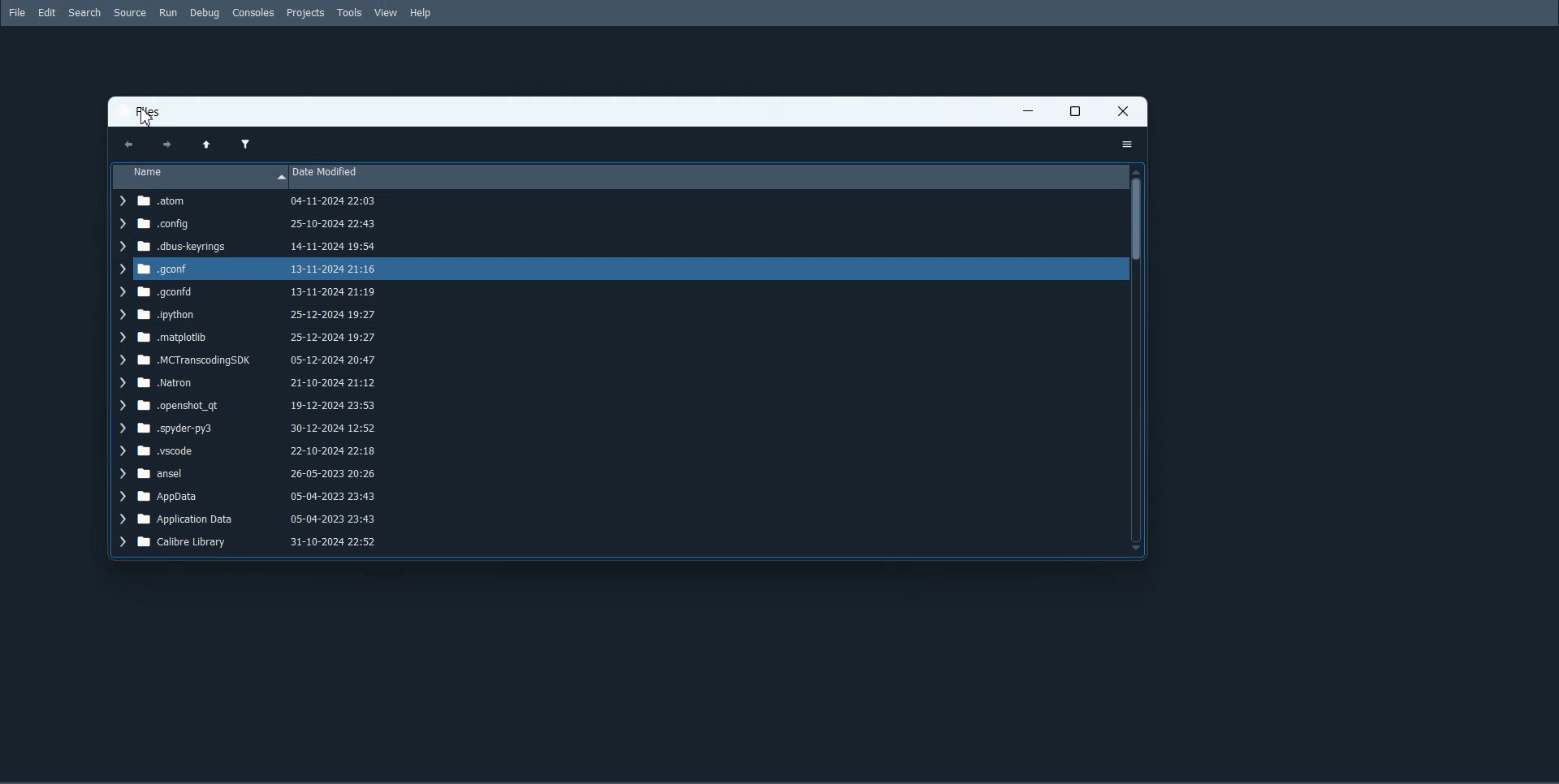 This screenshot has width=1559, height=784. What do you see at coordinates (1075, 111) in the screenshot?
I see `Maximize` at bounding box center [1075, 111].